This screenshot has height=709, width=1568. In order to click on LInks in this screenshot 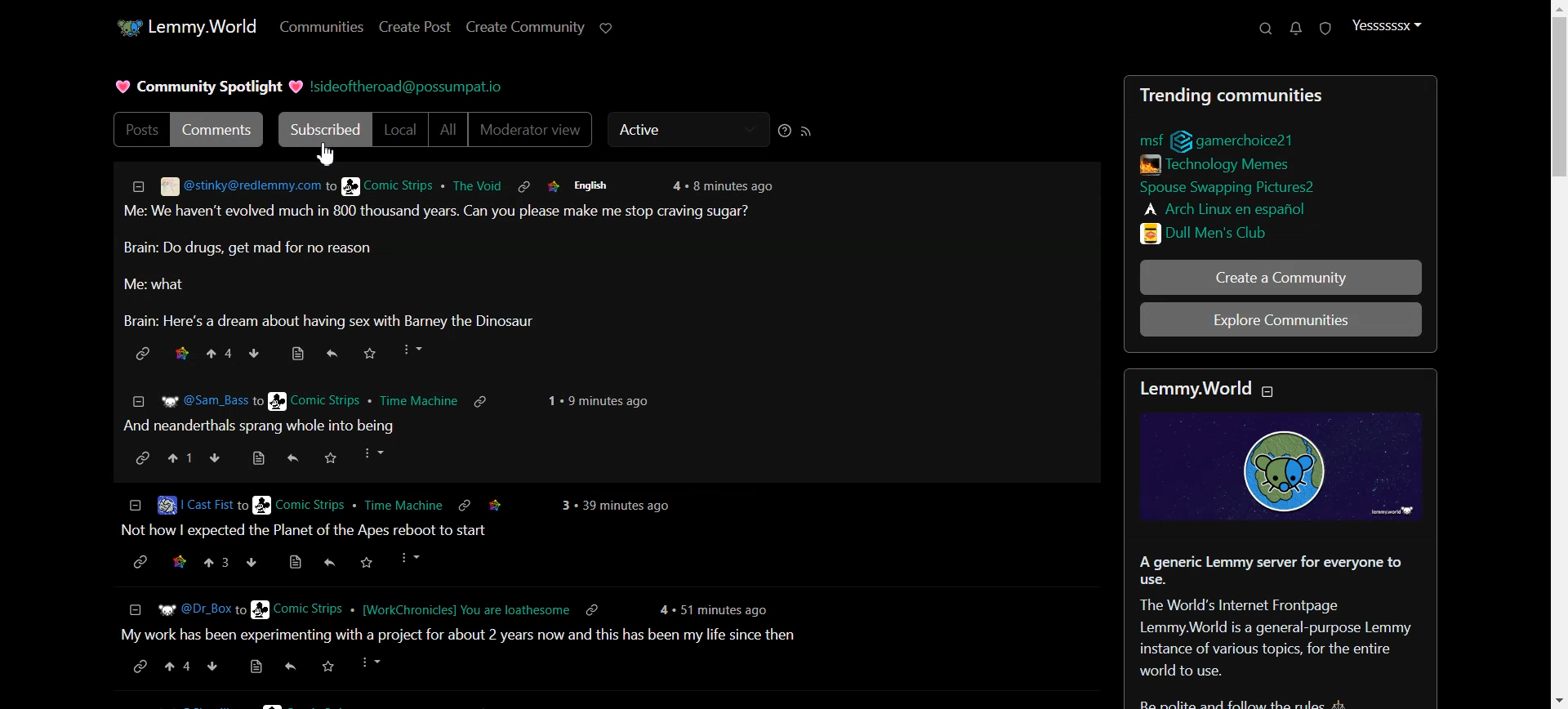, I will do `click(1224, 207)`.